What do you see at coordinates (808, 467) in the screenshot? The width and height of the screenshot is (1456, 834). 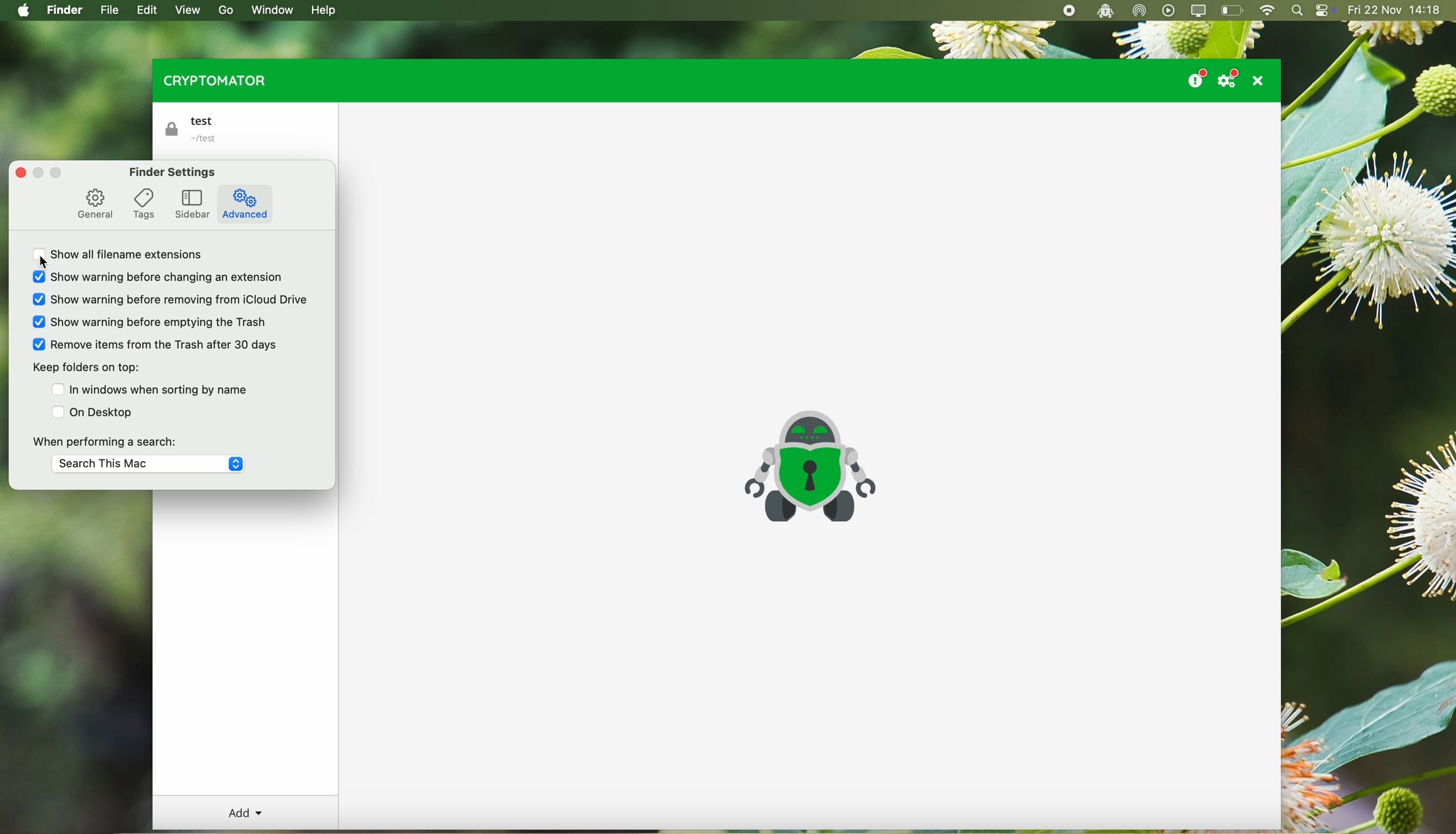 I see `cryptomator icon` at bounding box center [808, 467].